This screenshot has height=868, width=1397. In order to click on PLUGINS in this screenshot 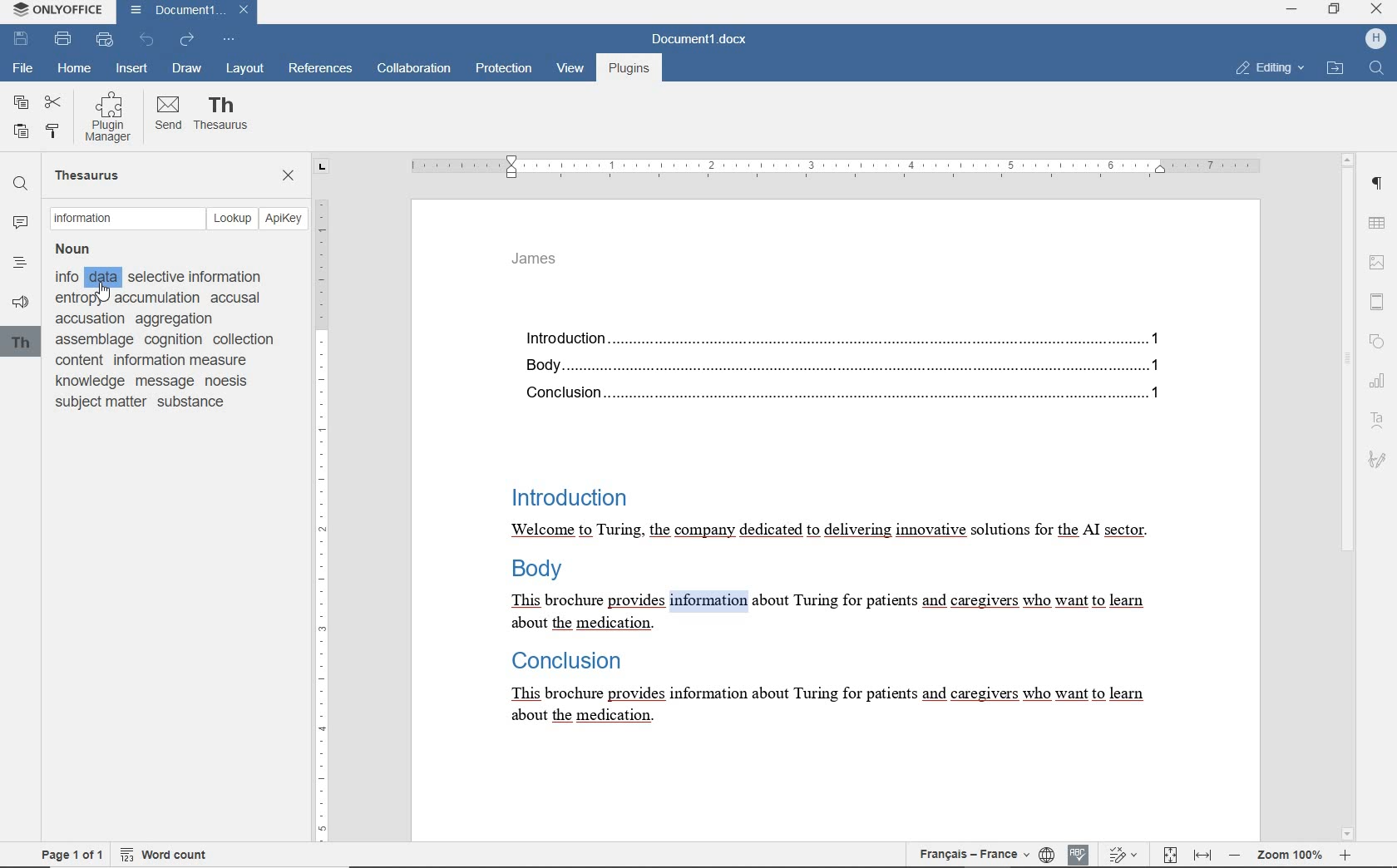, I will do `click(628, 70)`.